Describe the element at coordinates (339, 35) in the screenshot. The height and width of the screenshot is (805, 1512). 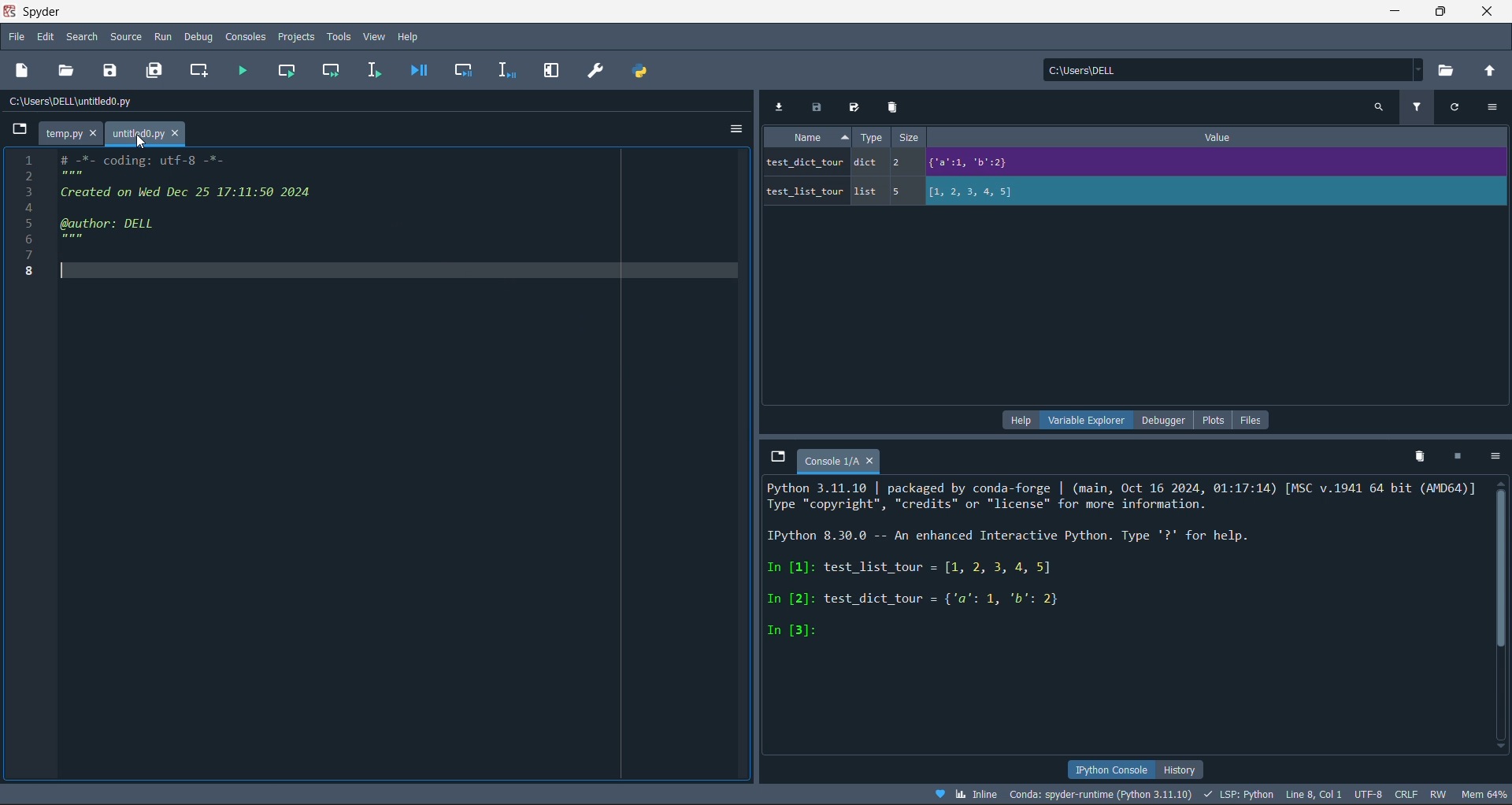
I see `tools` at that location.